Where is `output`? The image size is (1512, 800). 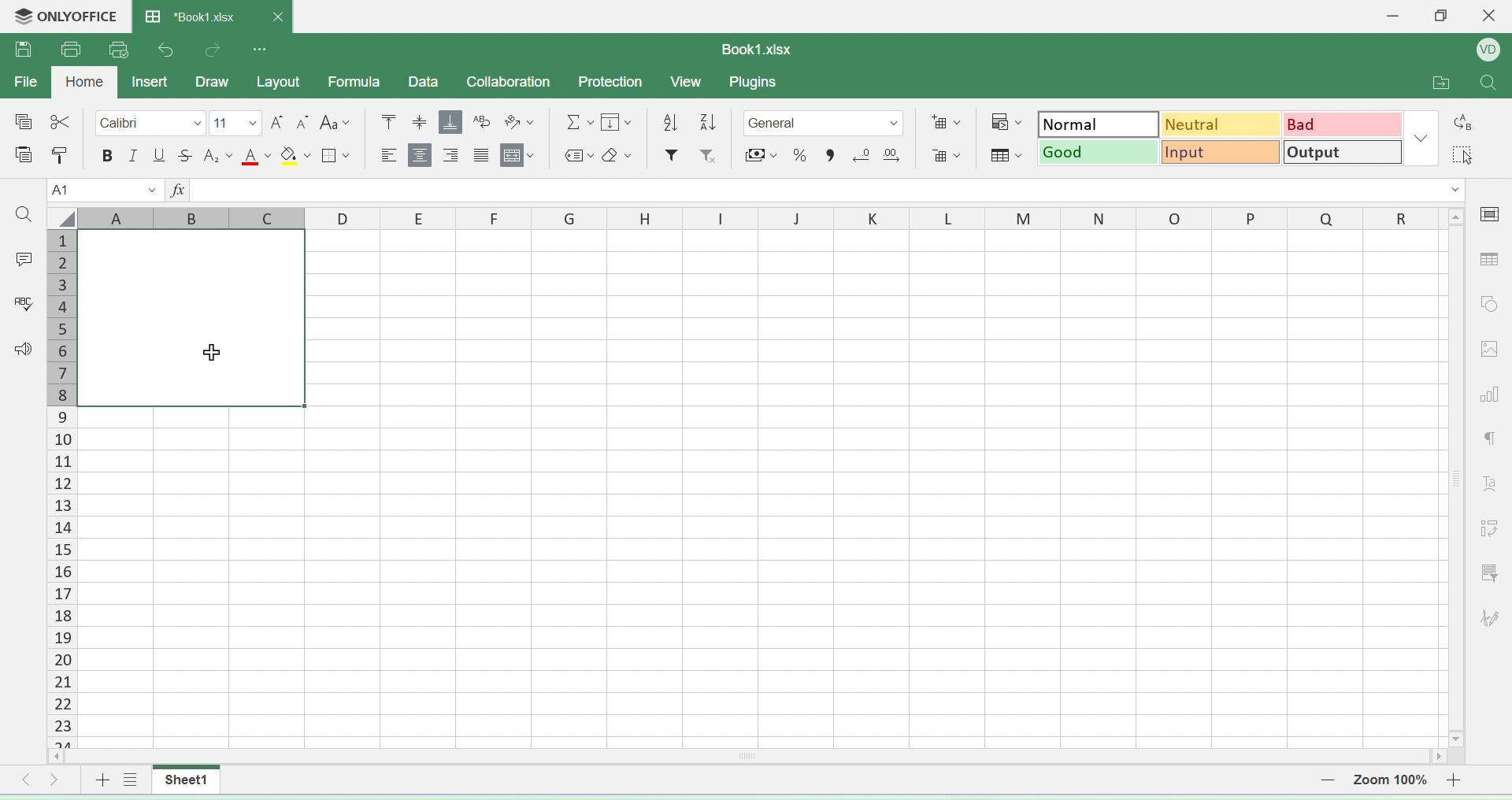
output is located at coordinates (1343, 152).